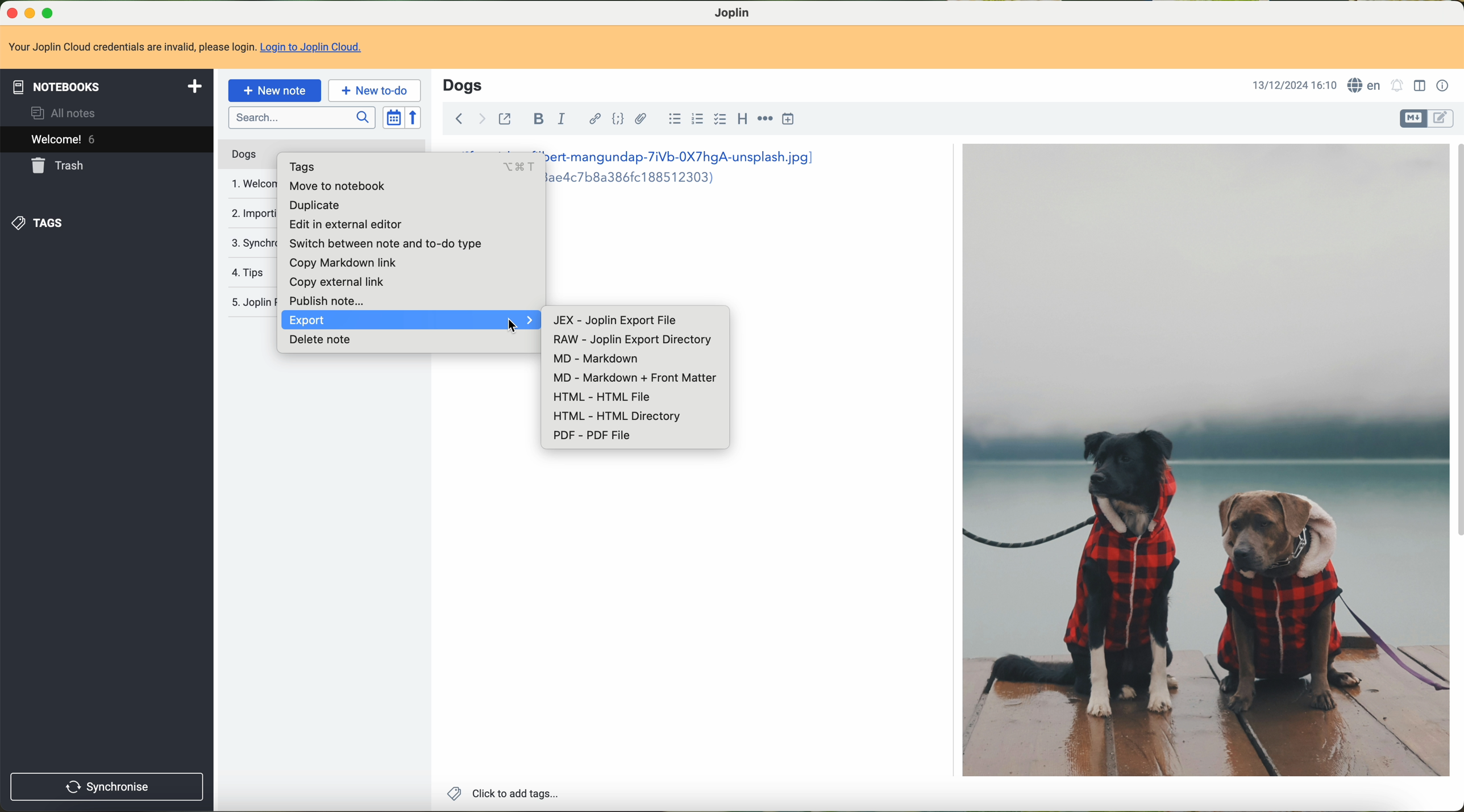  I want to click on MD - Markdown, so click(601, 359).